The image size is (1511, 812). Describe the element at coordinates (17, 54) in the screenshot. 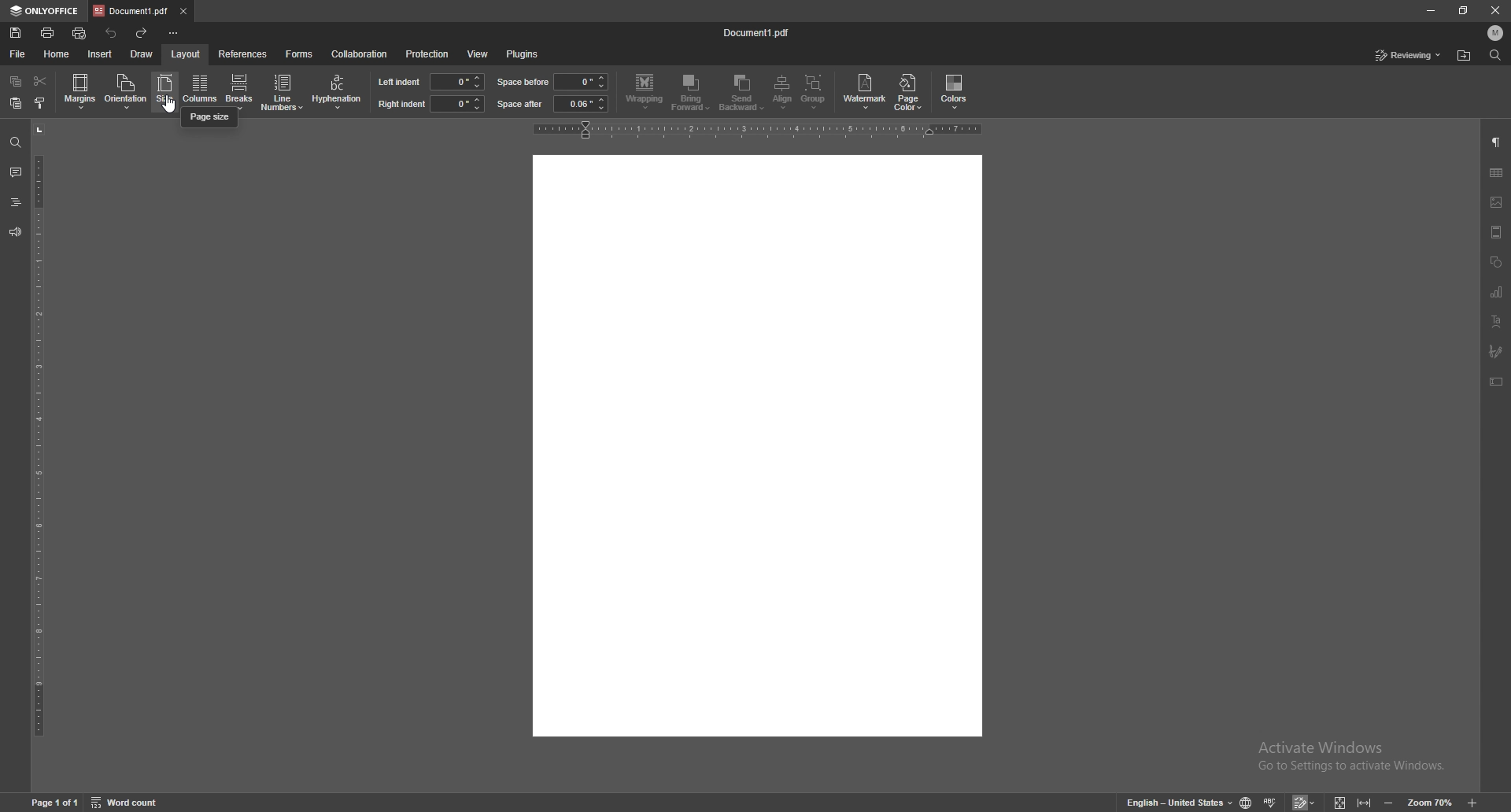

I see `file` at that location.